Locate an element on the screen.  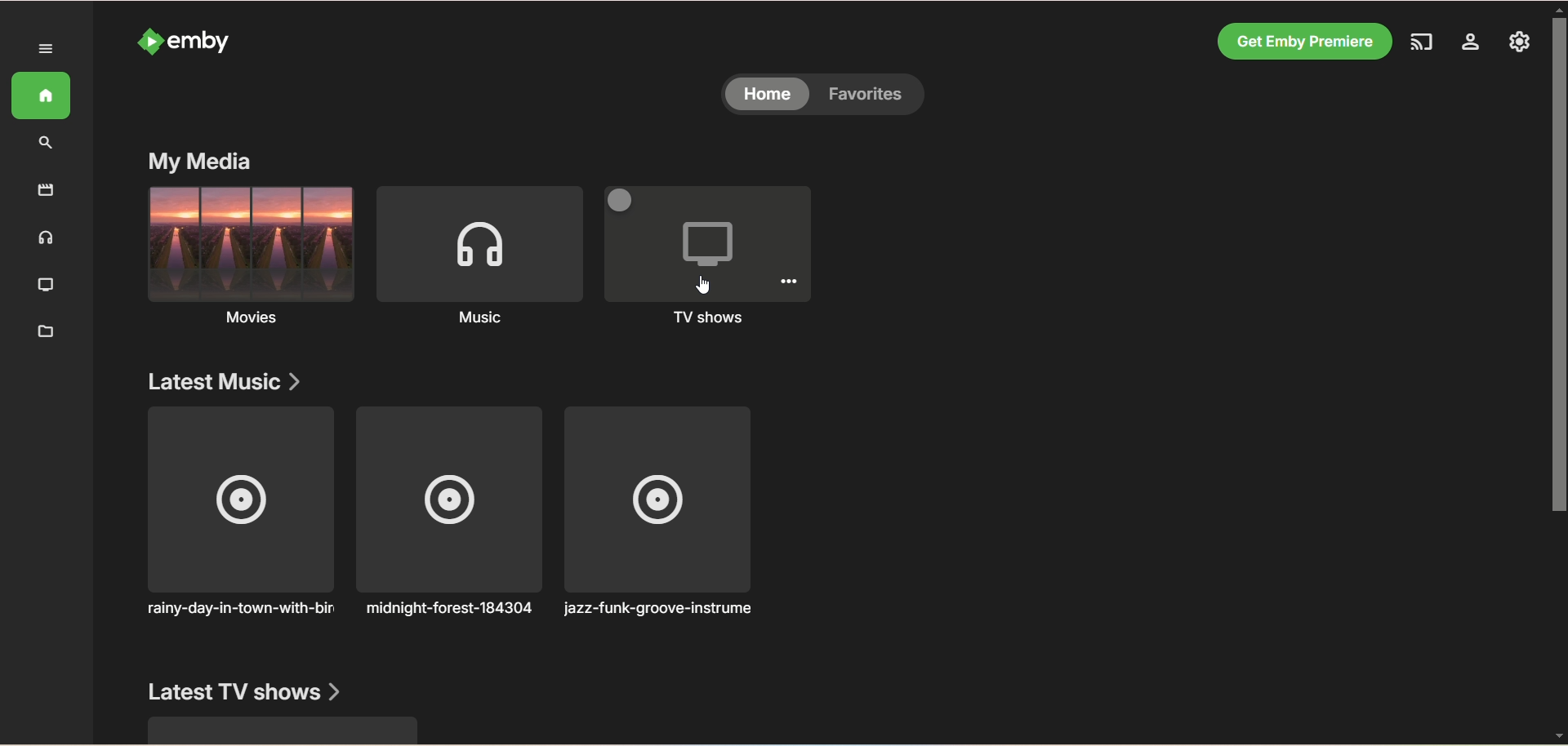
cursor is located at coordinates (703, 285).